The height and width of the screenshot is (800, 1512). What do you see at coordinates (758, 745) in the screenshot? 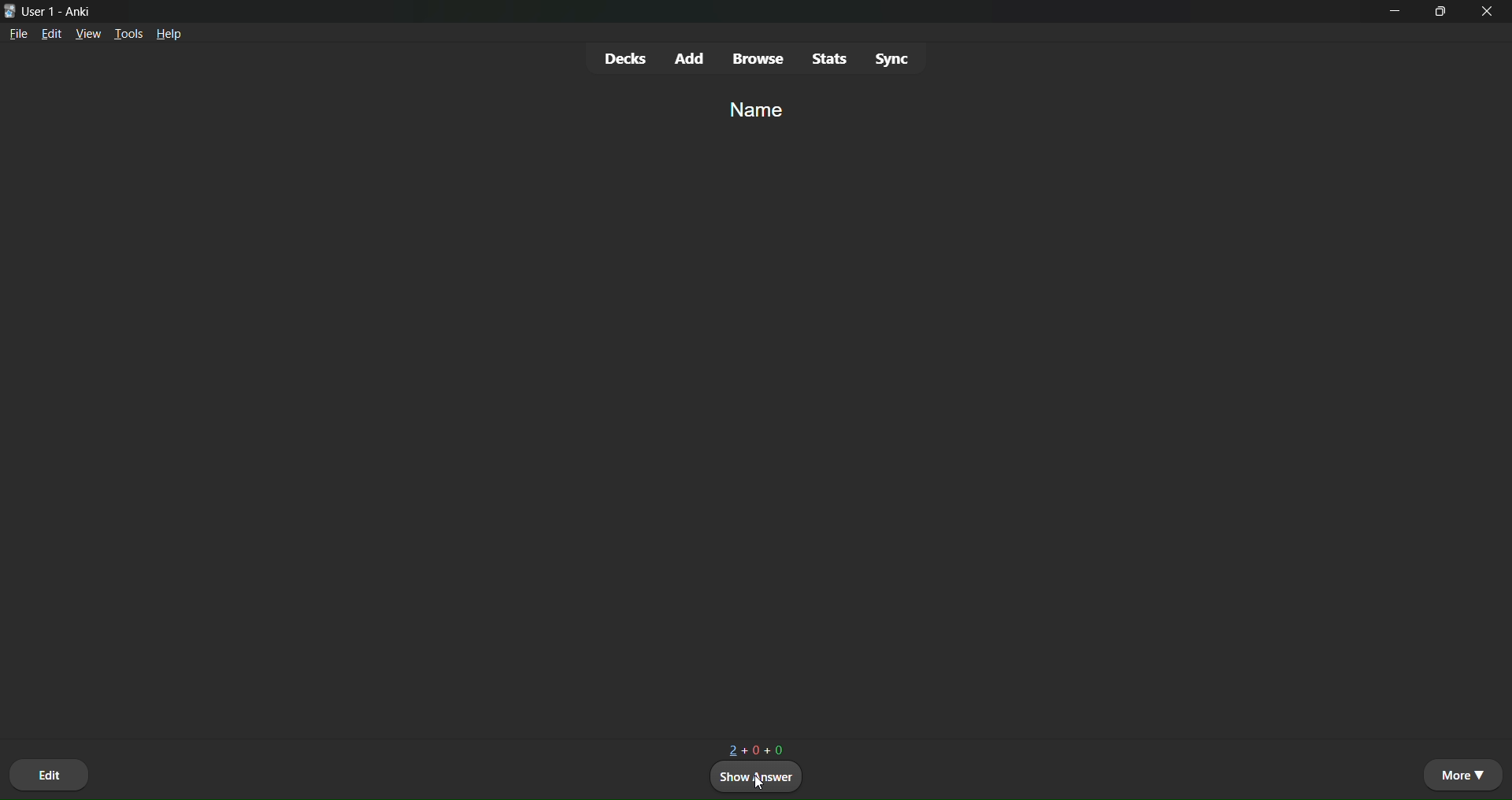
I see `2+0+0` at bounding box center [758, 745].